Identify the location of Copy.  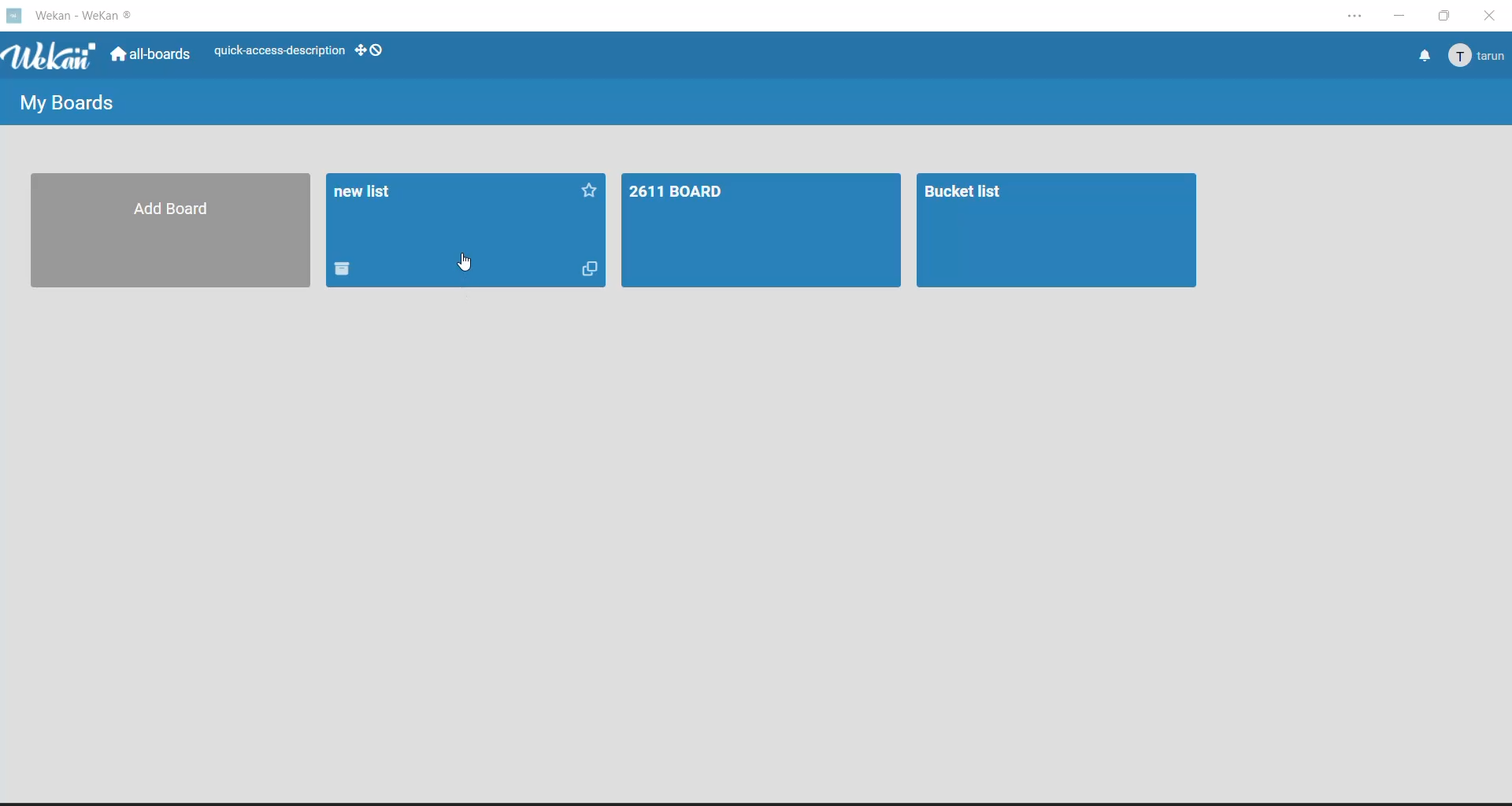
(582, 273).